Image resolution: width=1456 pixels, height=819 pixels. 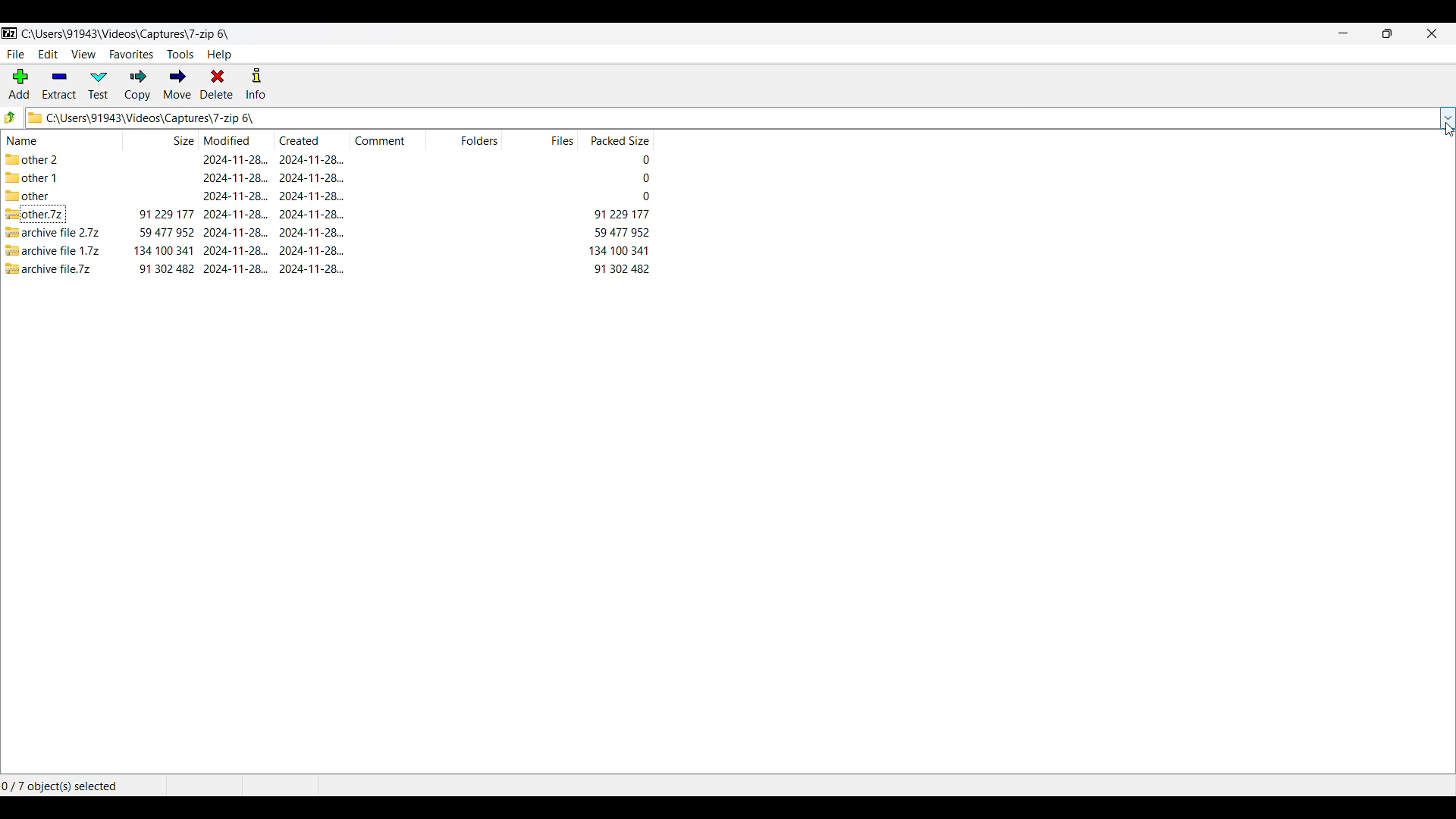 What do you see at coordinates (237, 140) in the screenshot?
I see `Modified column` at bounding box center [237, 140].